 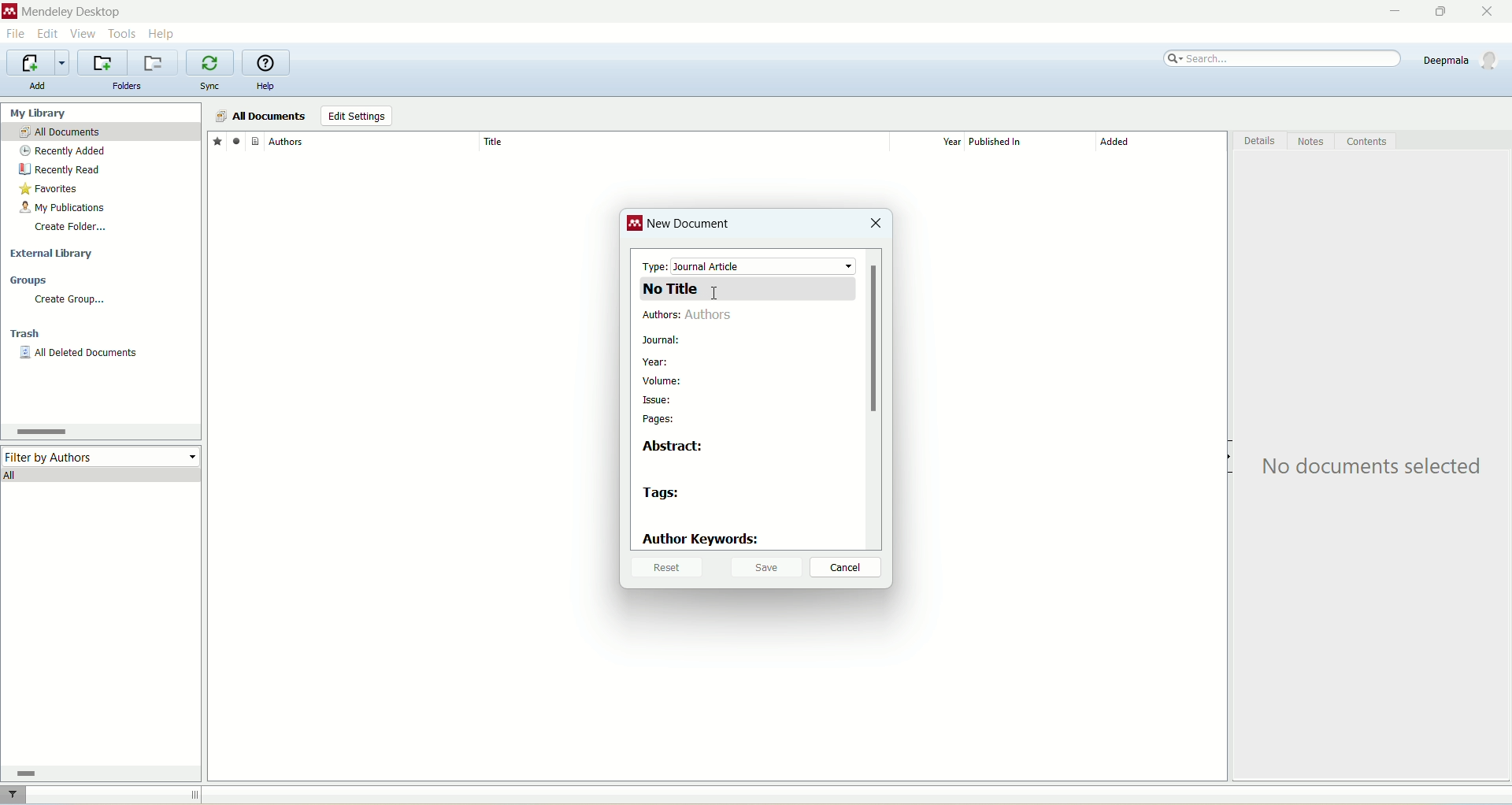 I want to click on author, so click(x=373, y=142).